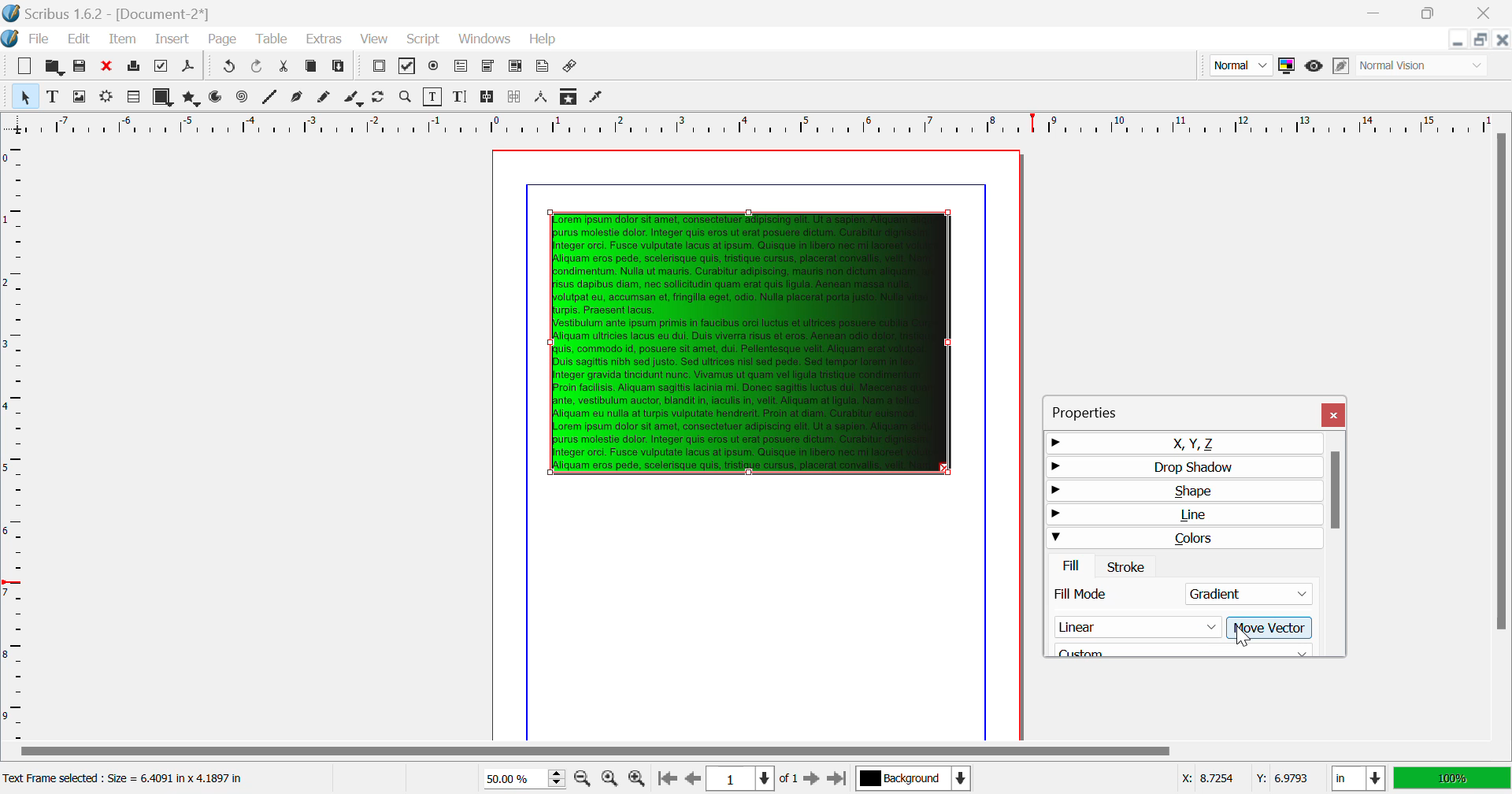 This screenshot has width=1512, height=794. What do you see at coordinates (162, 66) in the screenshot?
I see `Preflight Verifier` at bounding box center [162, 66].